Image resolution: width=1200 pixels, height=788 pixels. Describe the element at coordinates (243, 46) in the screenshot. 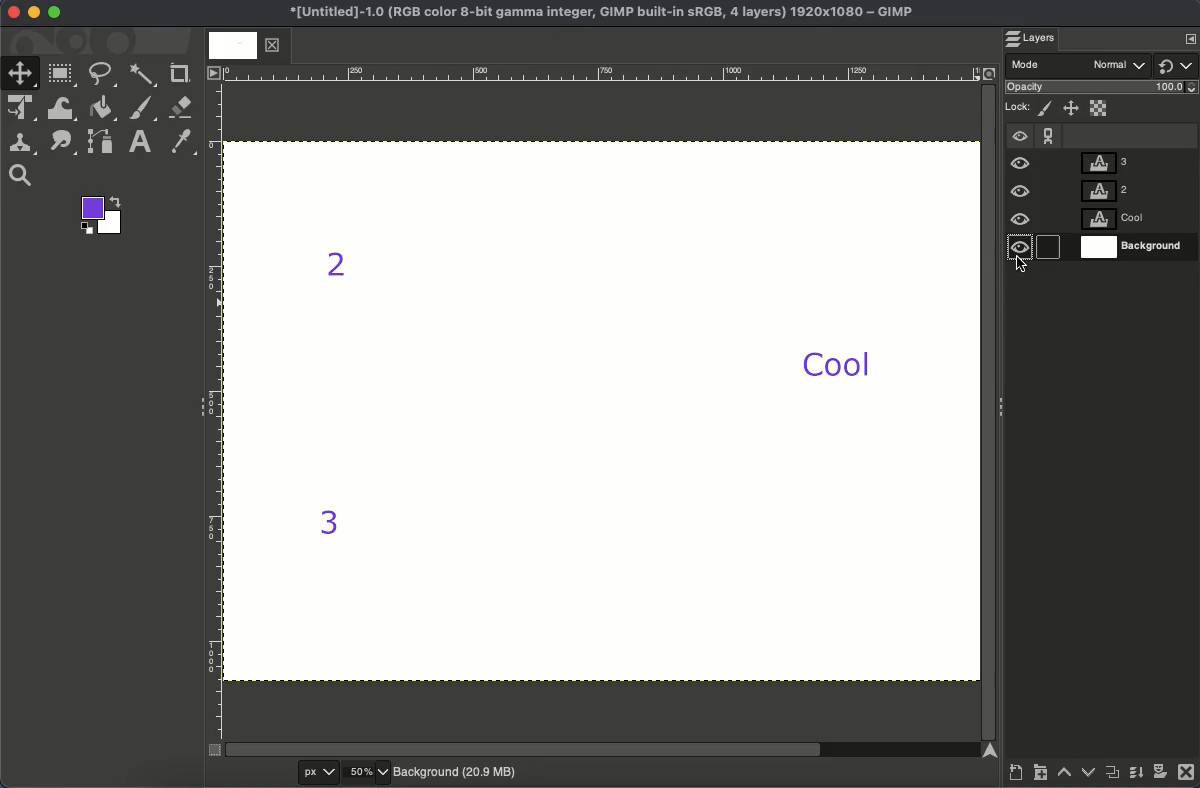

I see `Tab` at that location.